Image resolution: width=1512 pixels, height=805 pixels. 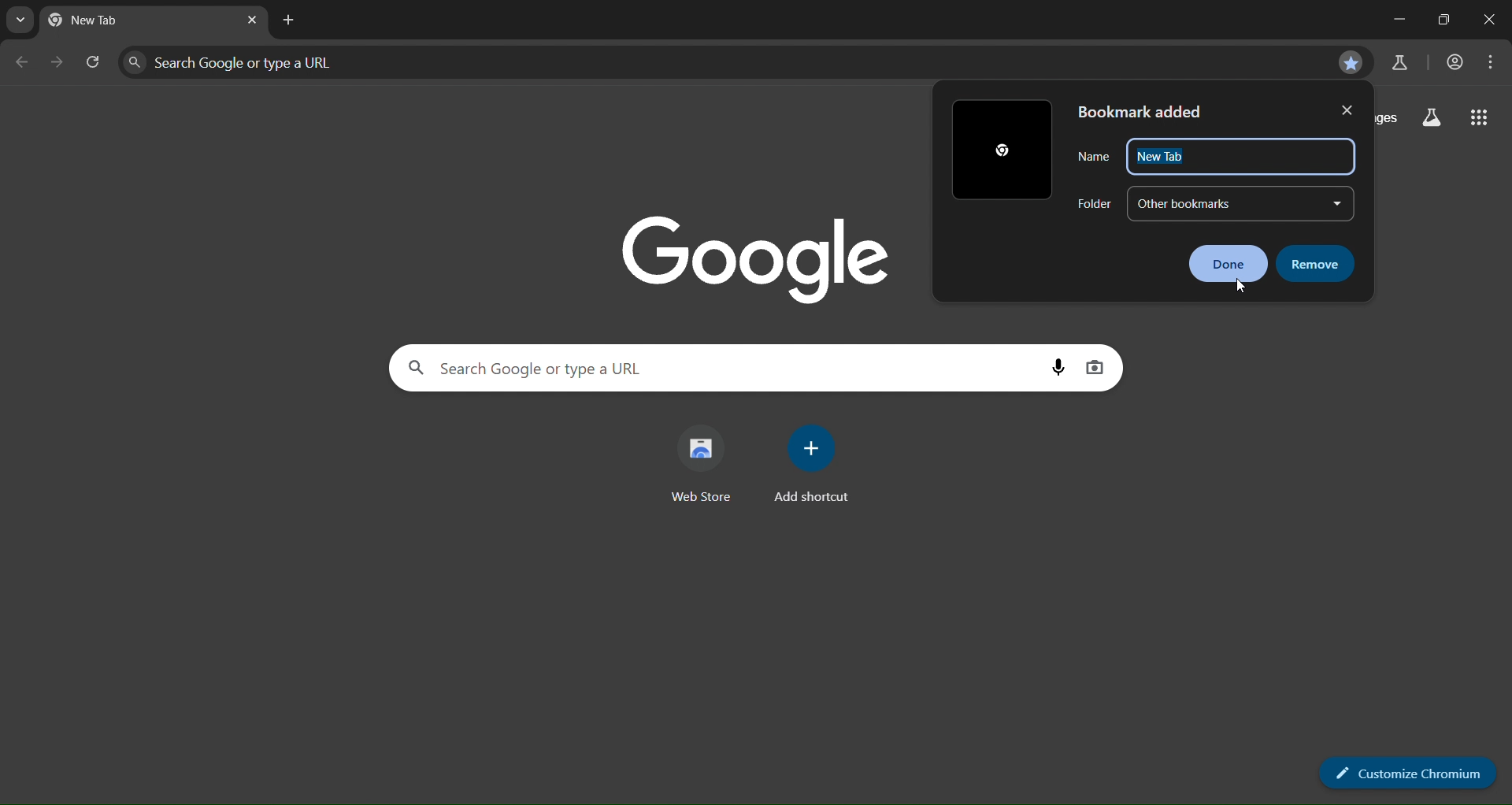 I want to click on bookmark added, so click(x=1141, y=112).